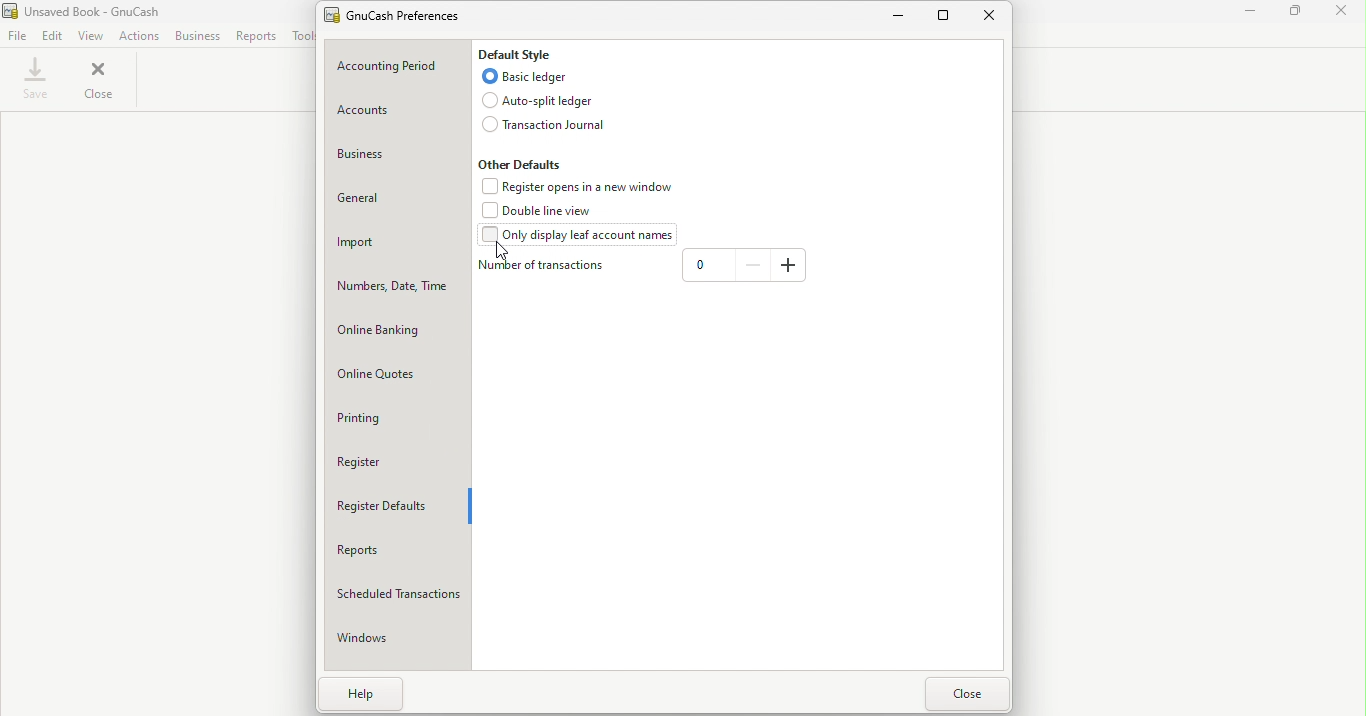 This screenshot has width=1366, height=716. I want to click on Tools, so click(300, 36).